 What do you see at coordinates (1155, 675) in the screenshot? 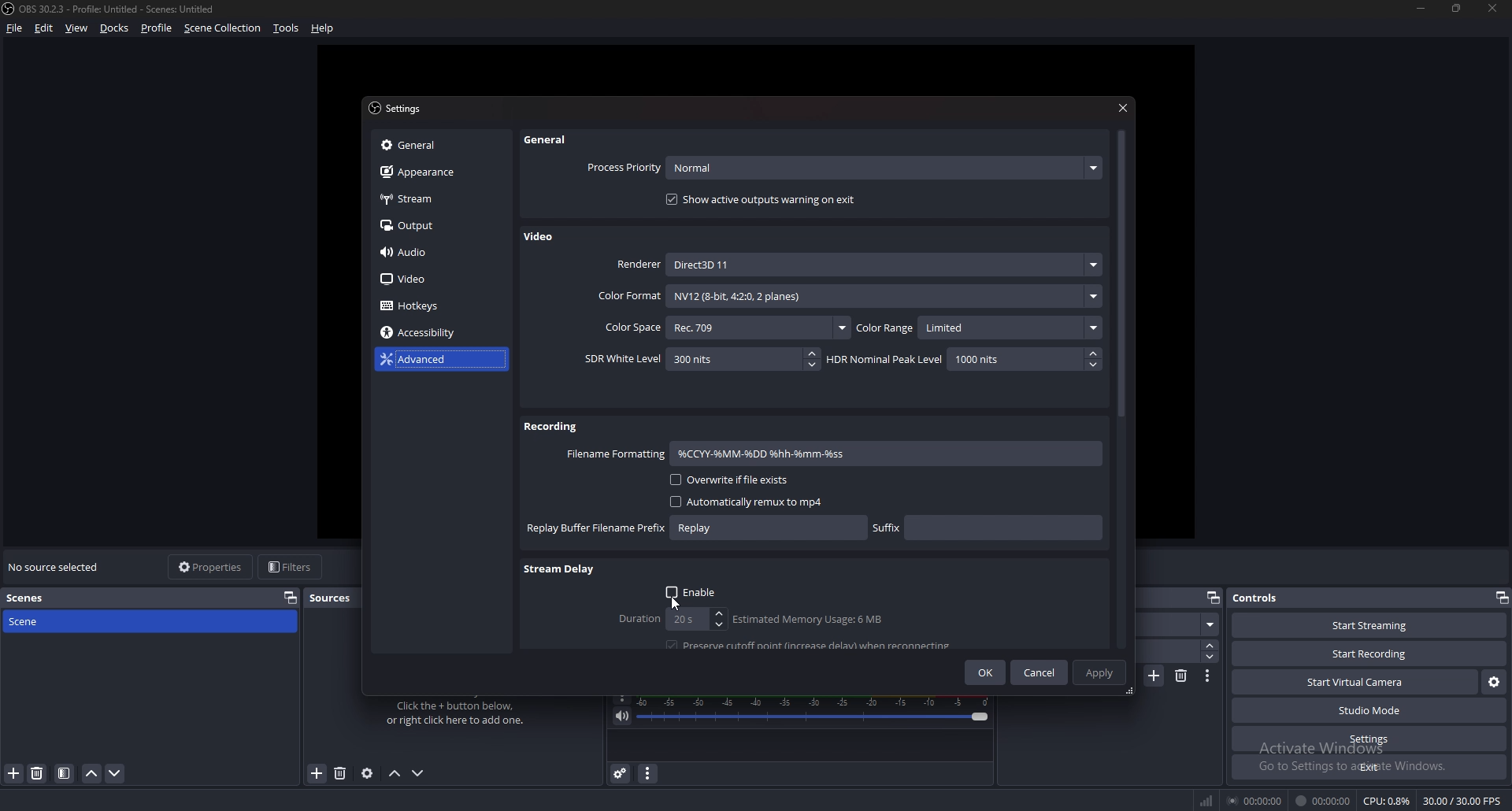
I see `add scene` at bounding box center [1155, 675].